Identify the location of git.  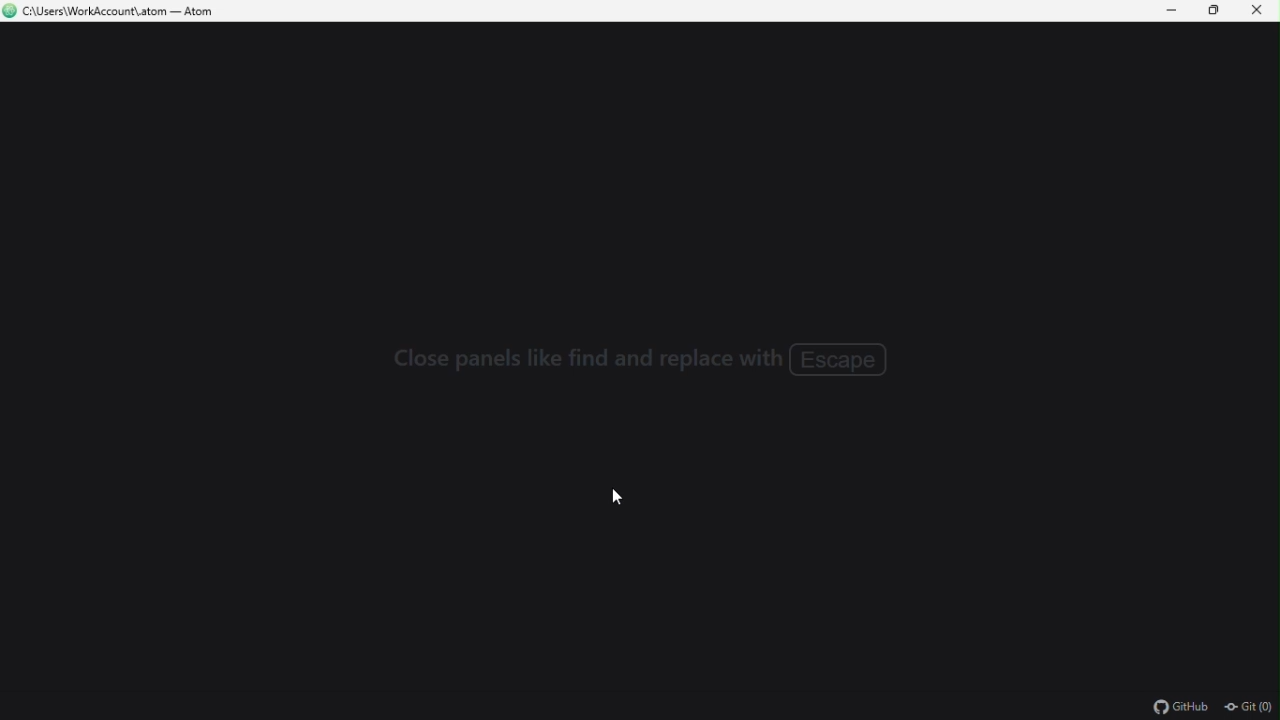
(1250, 706).